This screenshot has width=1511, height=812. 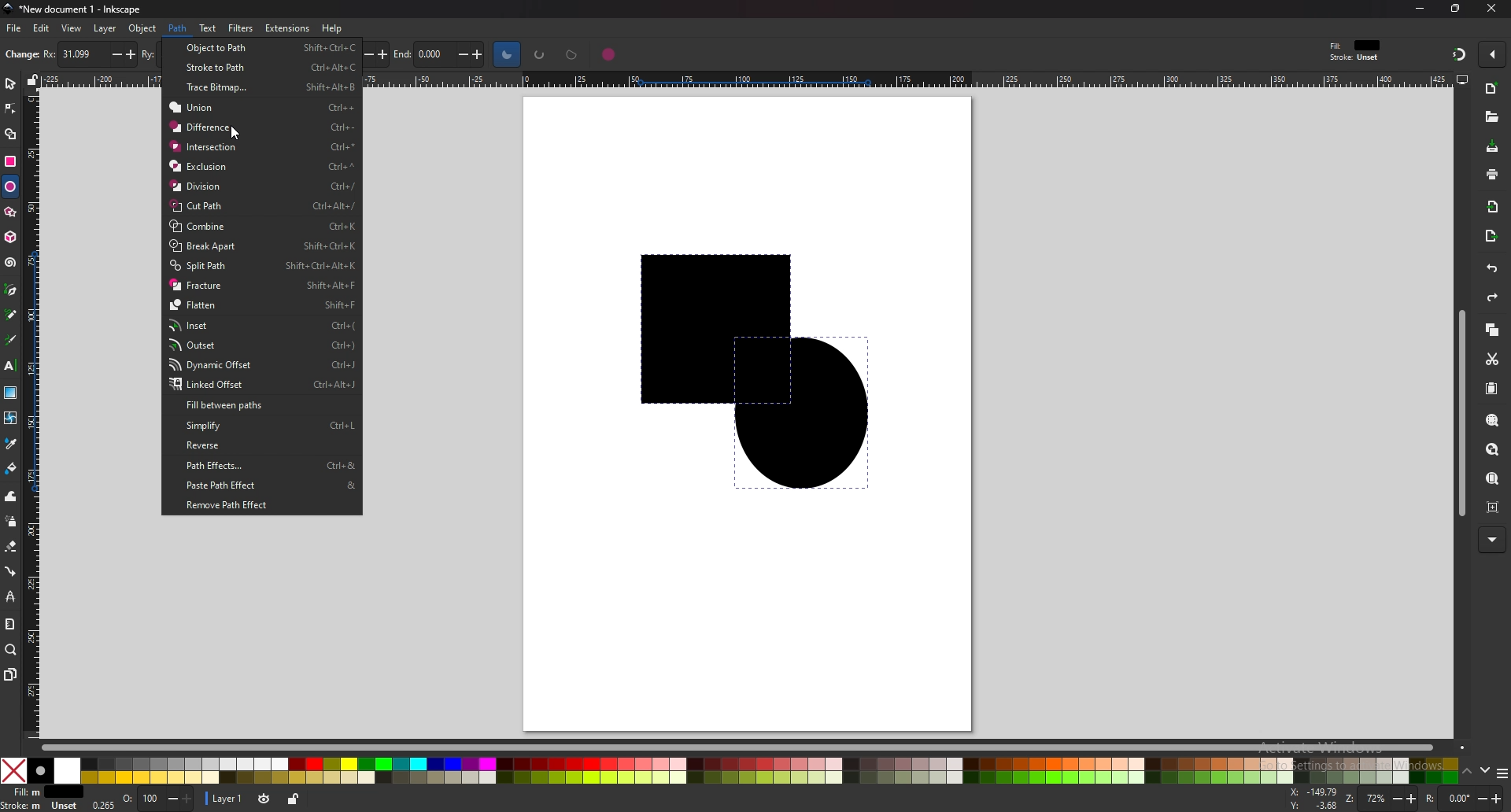 I want to click on layer, so click(x=225, y=799).